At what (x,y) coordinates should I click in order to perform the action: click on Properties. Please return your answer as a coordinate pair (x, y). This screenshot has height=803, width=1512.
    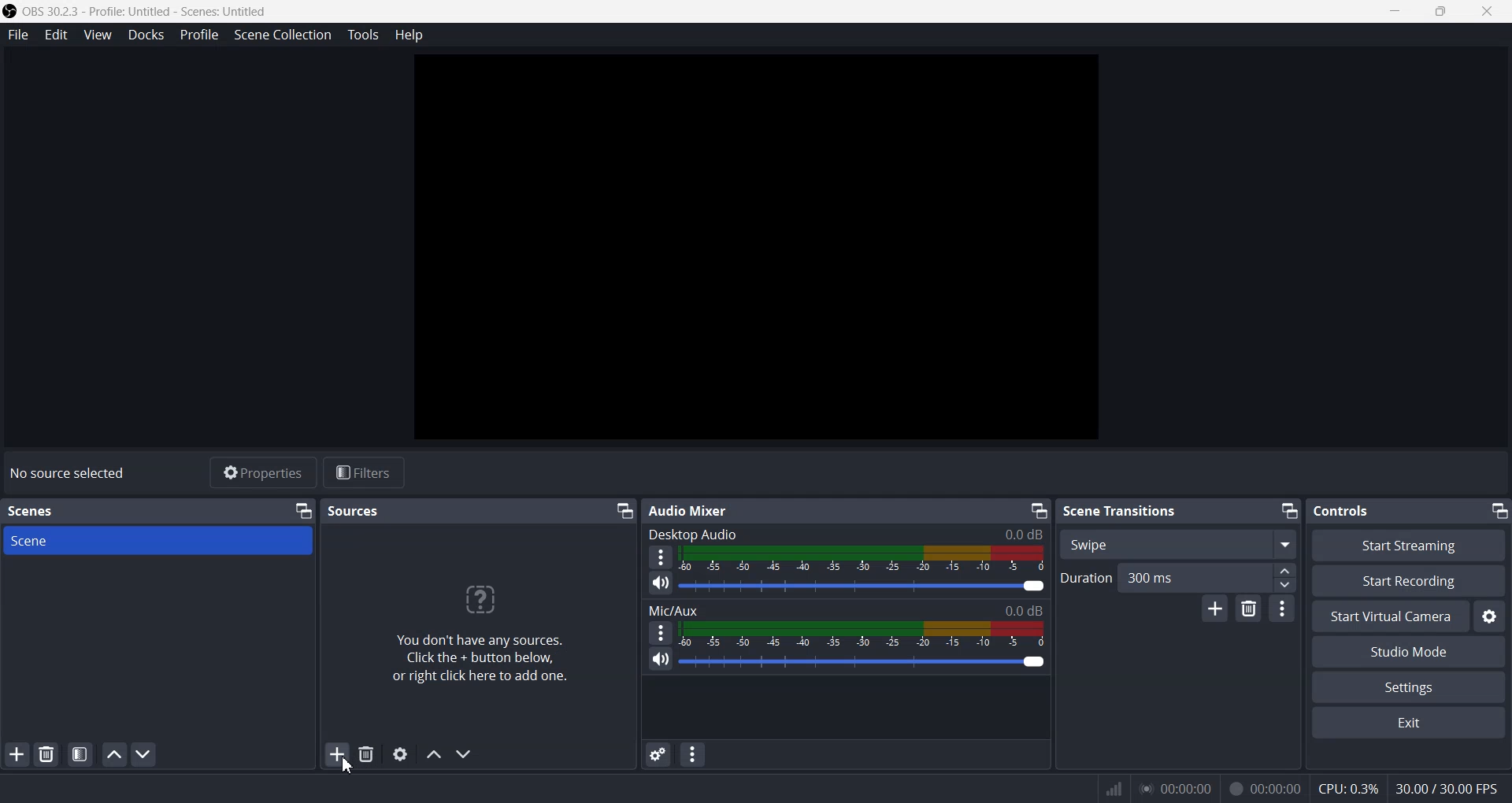
    Looking at the image, I should click on (261, 472).